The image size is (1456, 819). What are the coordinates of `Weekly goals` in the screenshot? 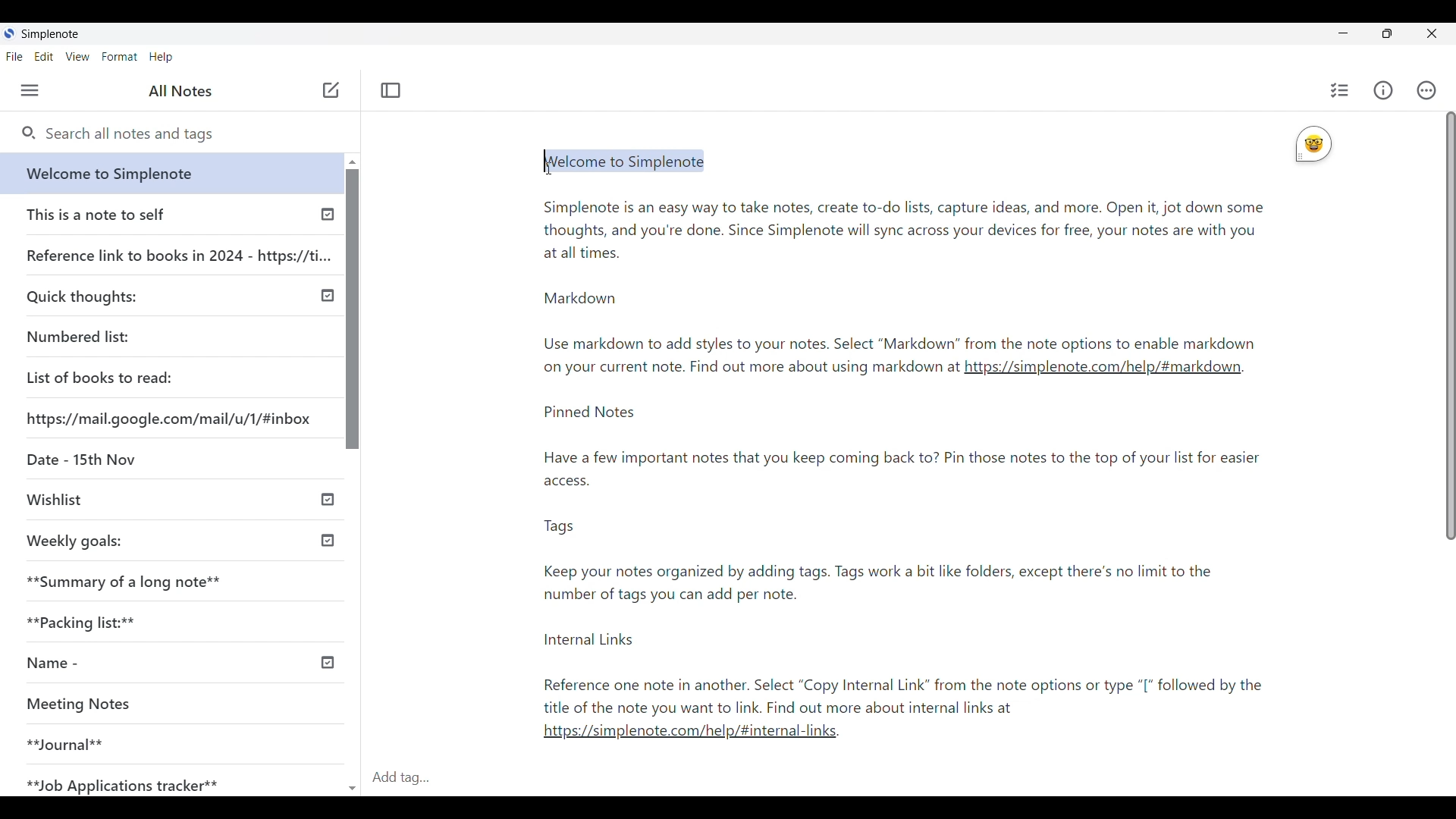 It's located at (75, 541).